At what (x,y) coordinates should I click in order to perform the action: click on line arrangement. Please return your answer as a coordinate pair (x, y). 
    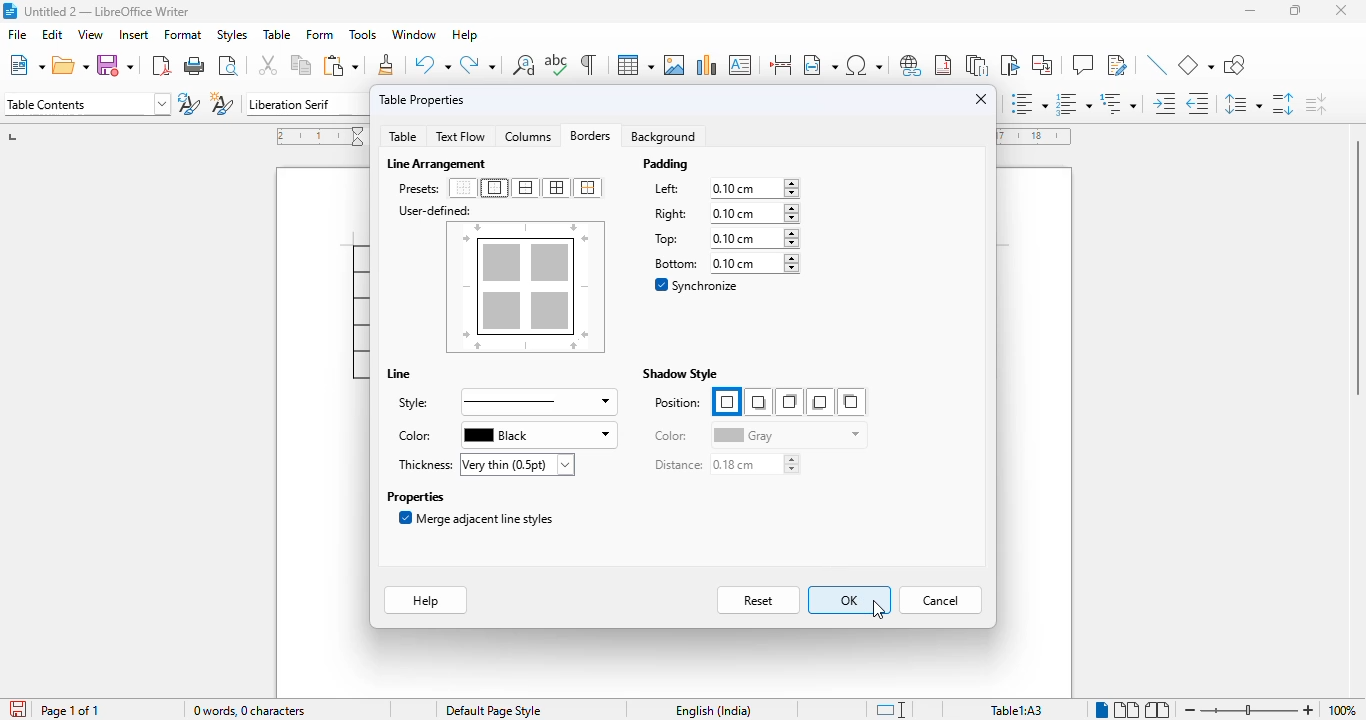
    Looking at the image, I should click on (439, 164).